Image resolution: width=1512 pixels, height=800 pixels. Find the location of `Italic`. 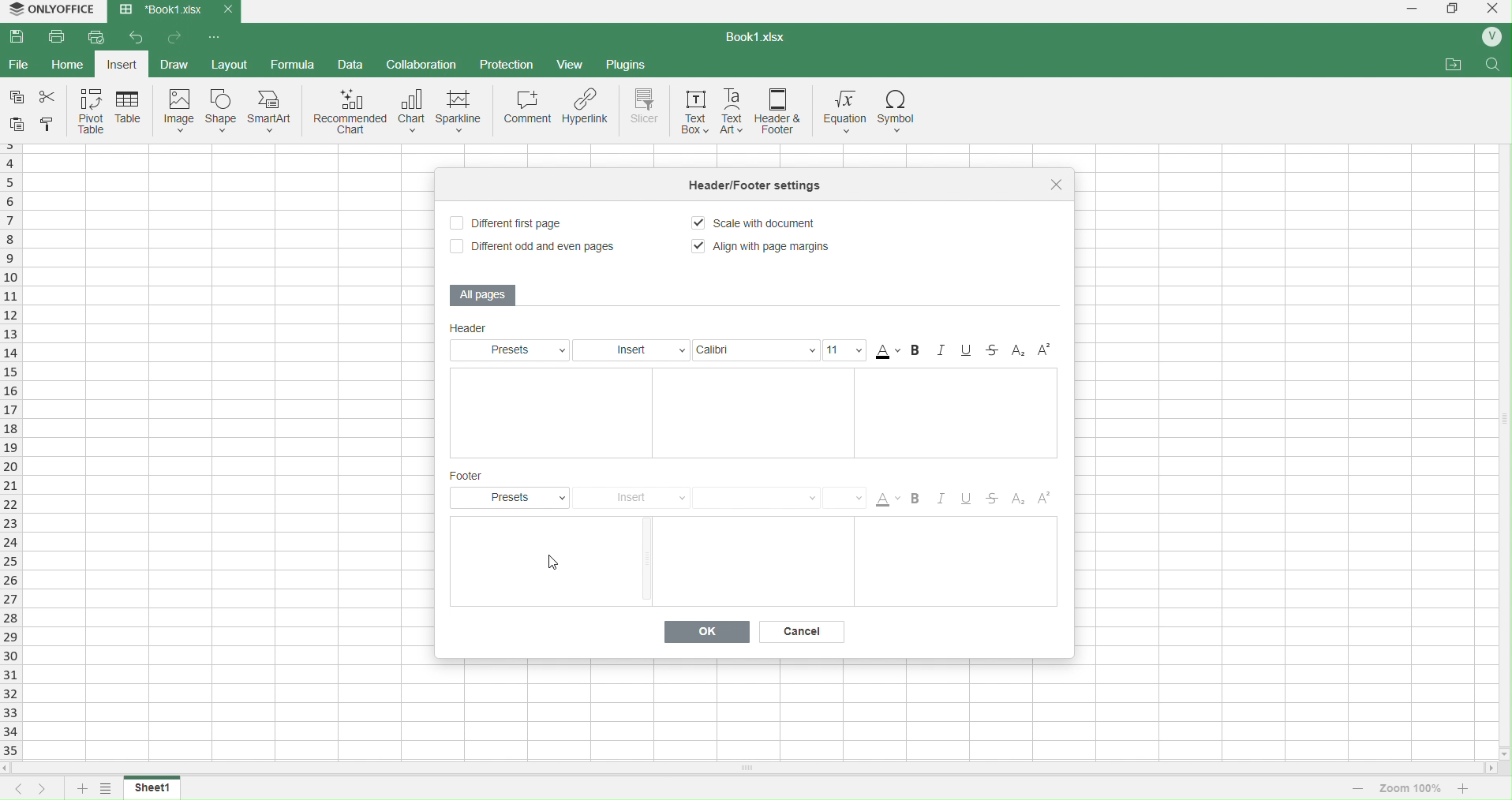

Italic is located at coordinates (945, 352).